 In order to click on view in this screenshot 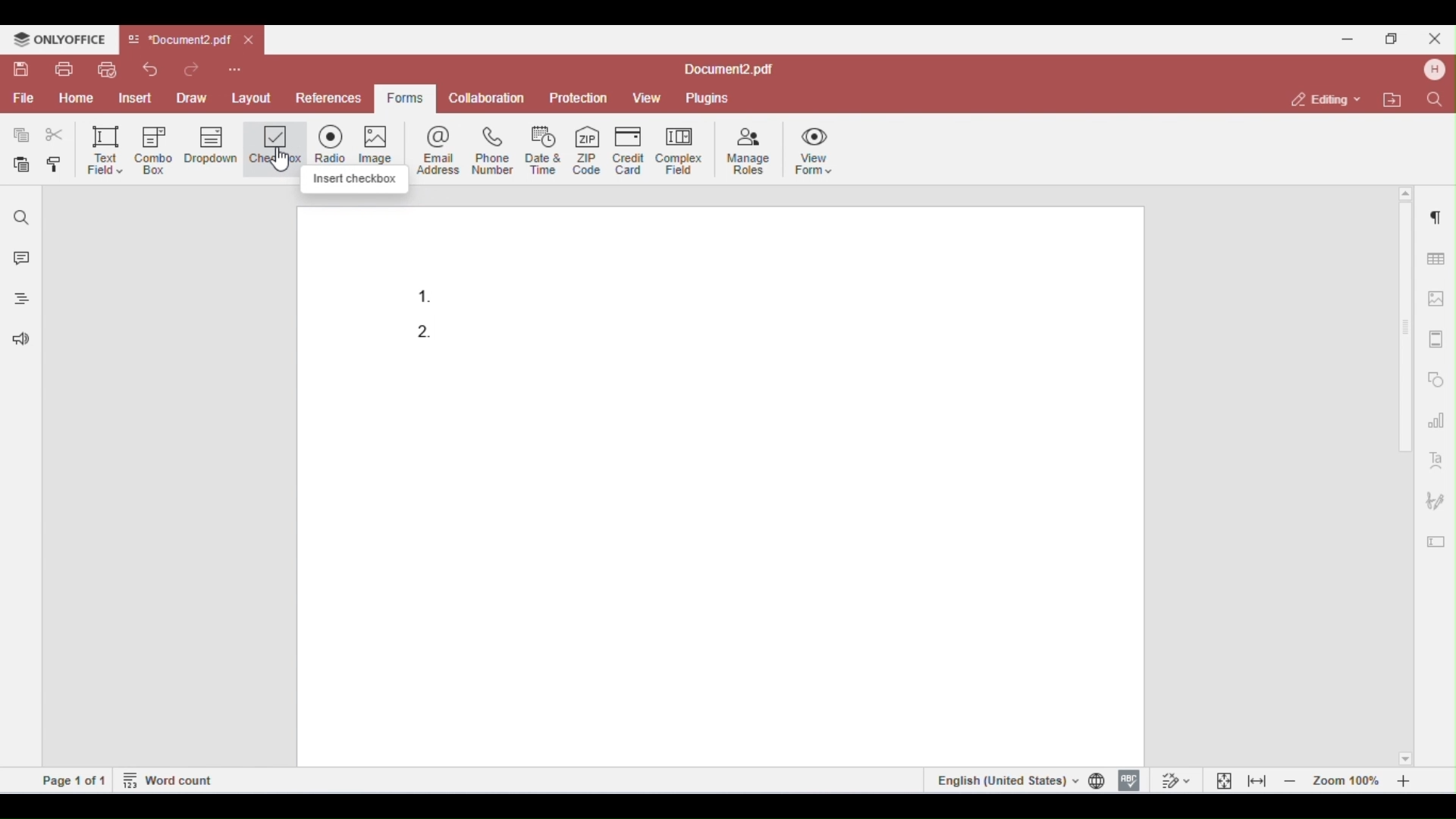, I will do `click(647, 99)`.